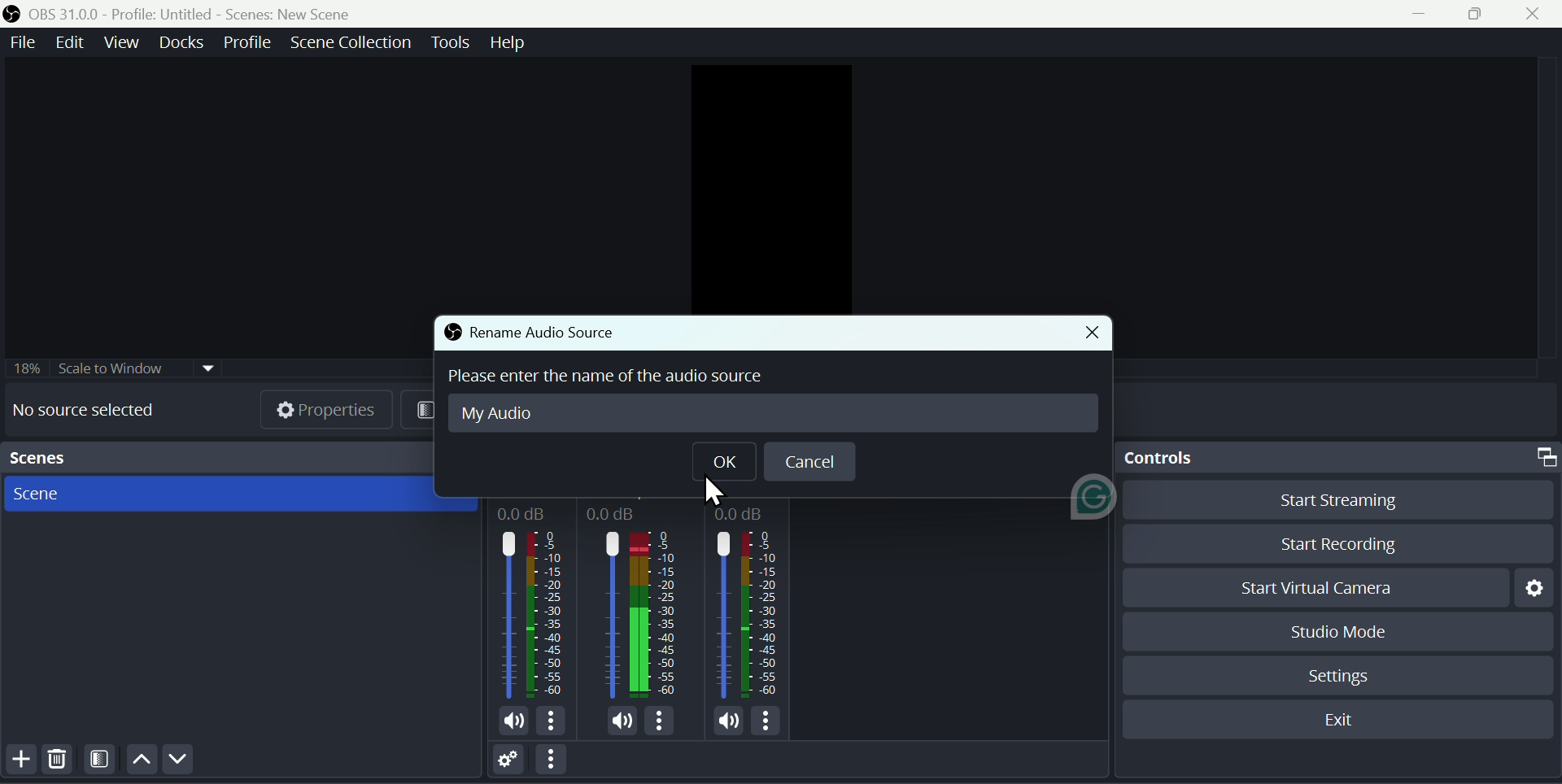 Image resolution: width=1562 pixels, height=784 pixels. What do you see at coordinates (1411, 17) in the screenshot?
I see `minimise` at bounding box center [1411, 17].